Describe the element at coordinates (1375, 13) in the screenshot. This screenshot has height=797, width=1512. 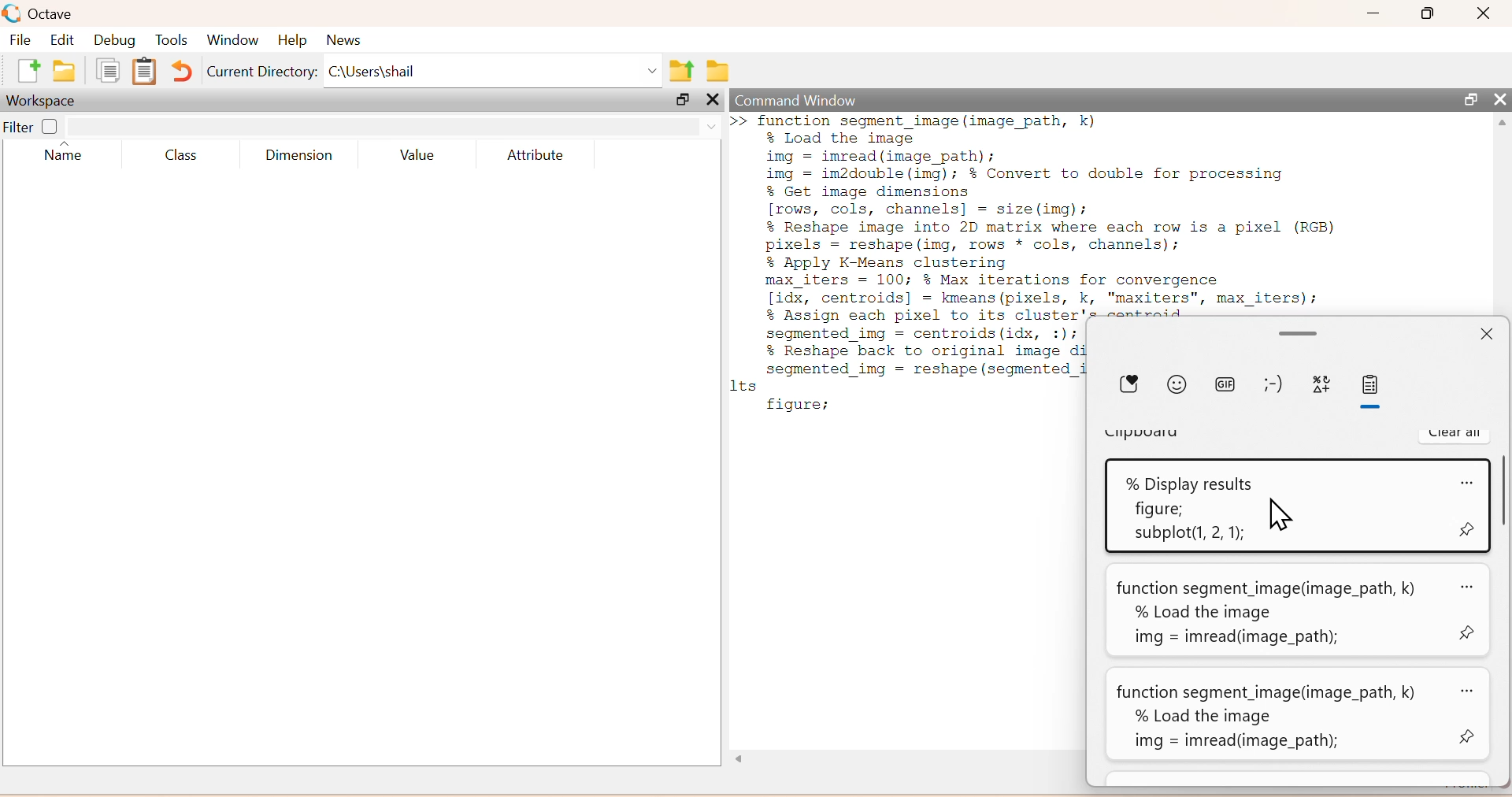
I see `Minimize` at that location.